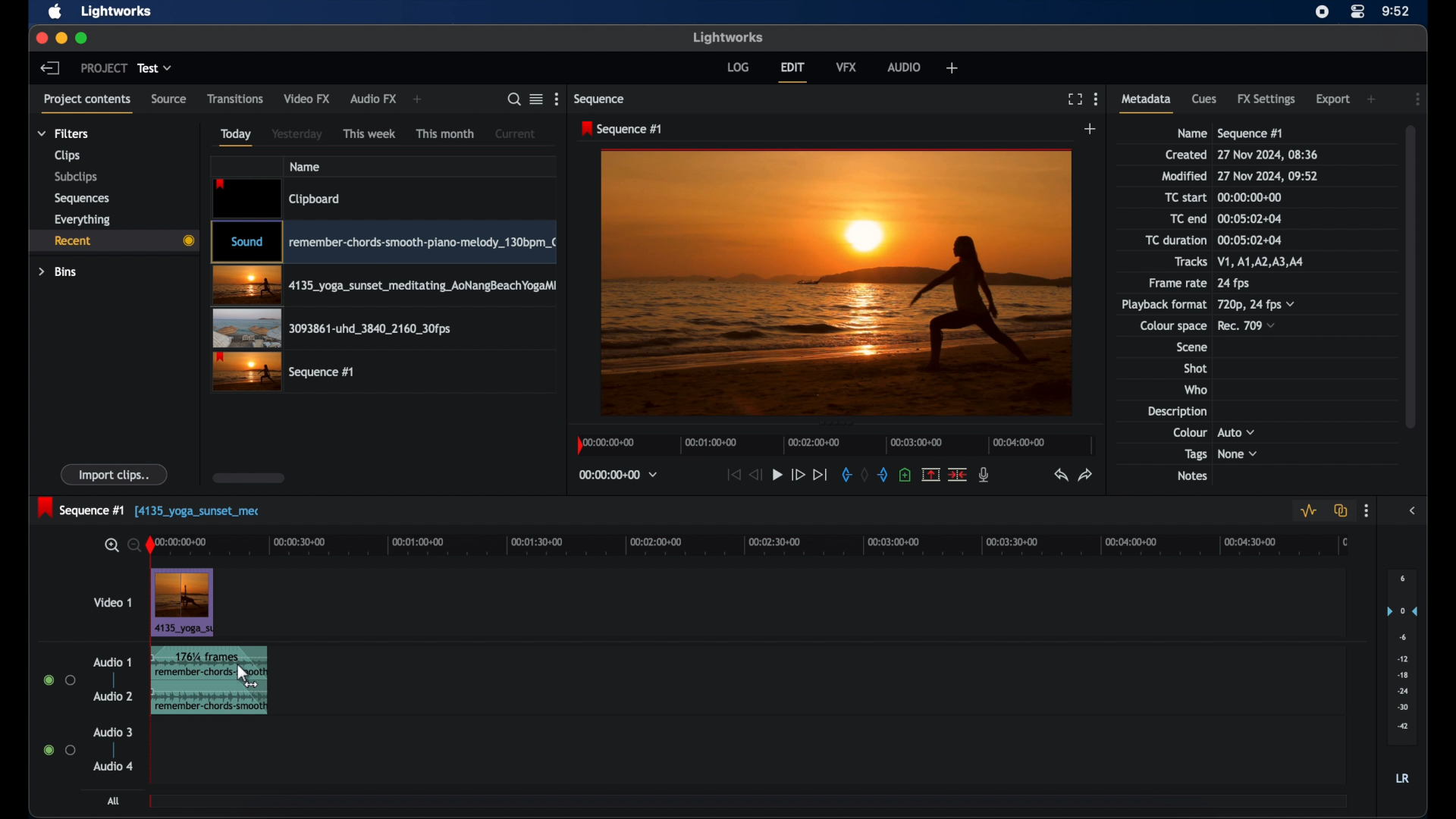  I want to click on 720p, 24fps, so click(1257, 304).